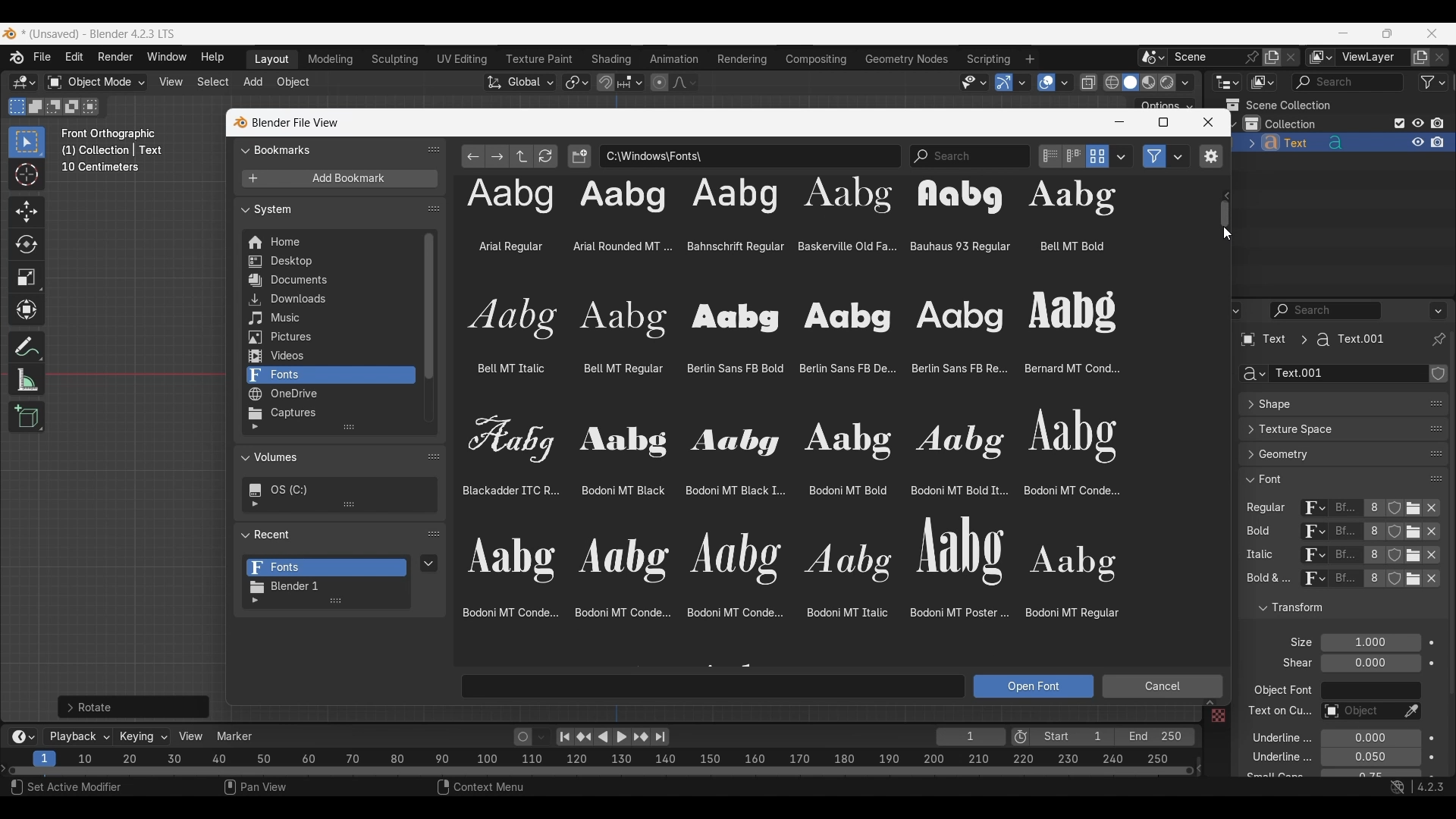 This screenshot has width=1456, height=819. I want to click on Name, so click(1348, 374).